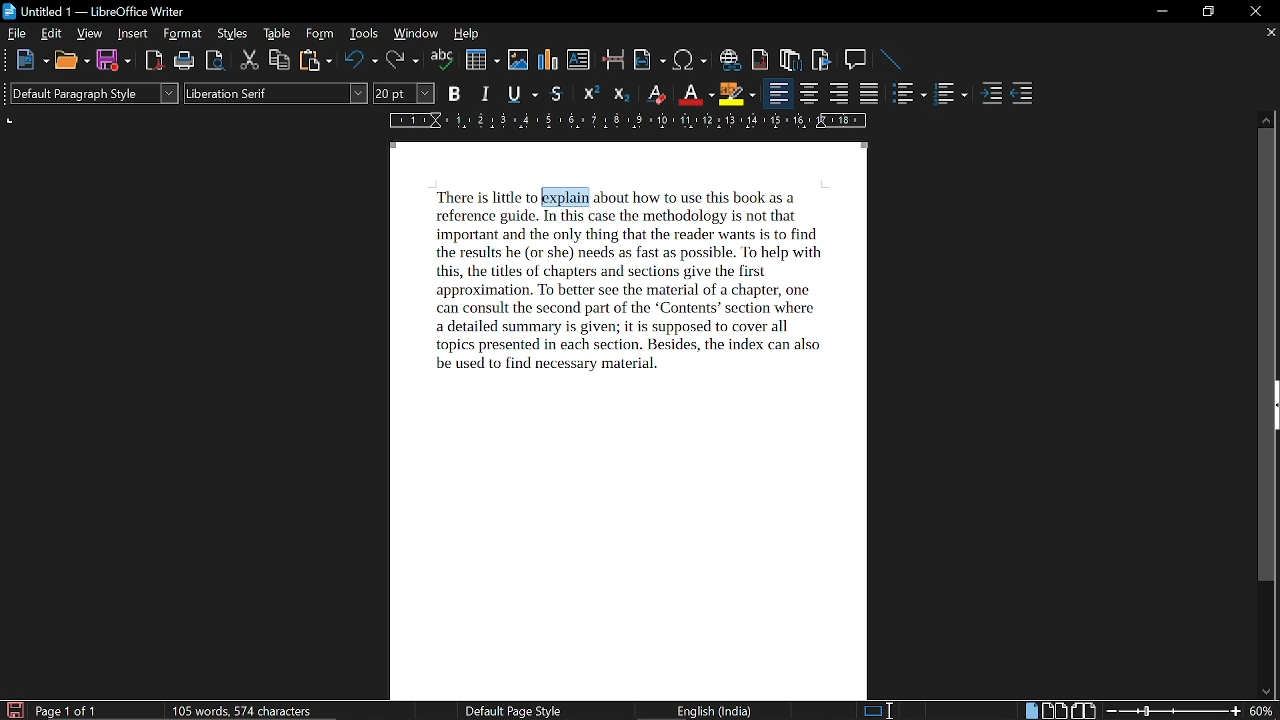 Image resolution: width=1280 pixels, height=720 pixels. Describe the element at coordinates (761, 59) in the screenshot. I see `insert endnote` at that location.